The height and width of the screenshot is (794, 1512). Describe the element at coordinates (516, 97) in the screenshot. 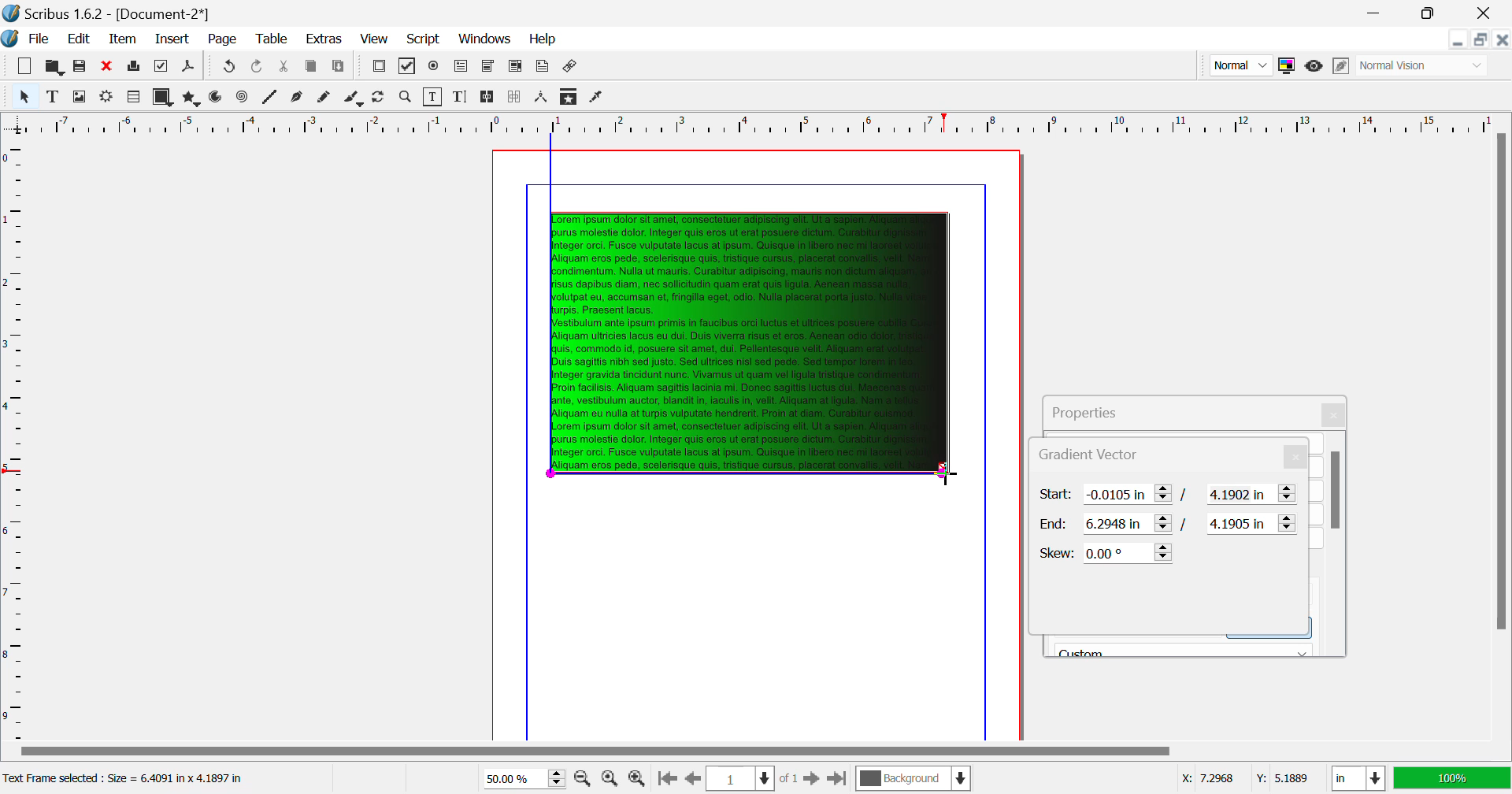

I see `Delink Frames` at that location.